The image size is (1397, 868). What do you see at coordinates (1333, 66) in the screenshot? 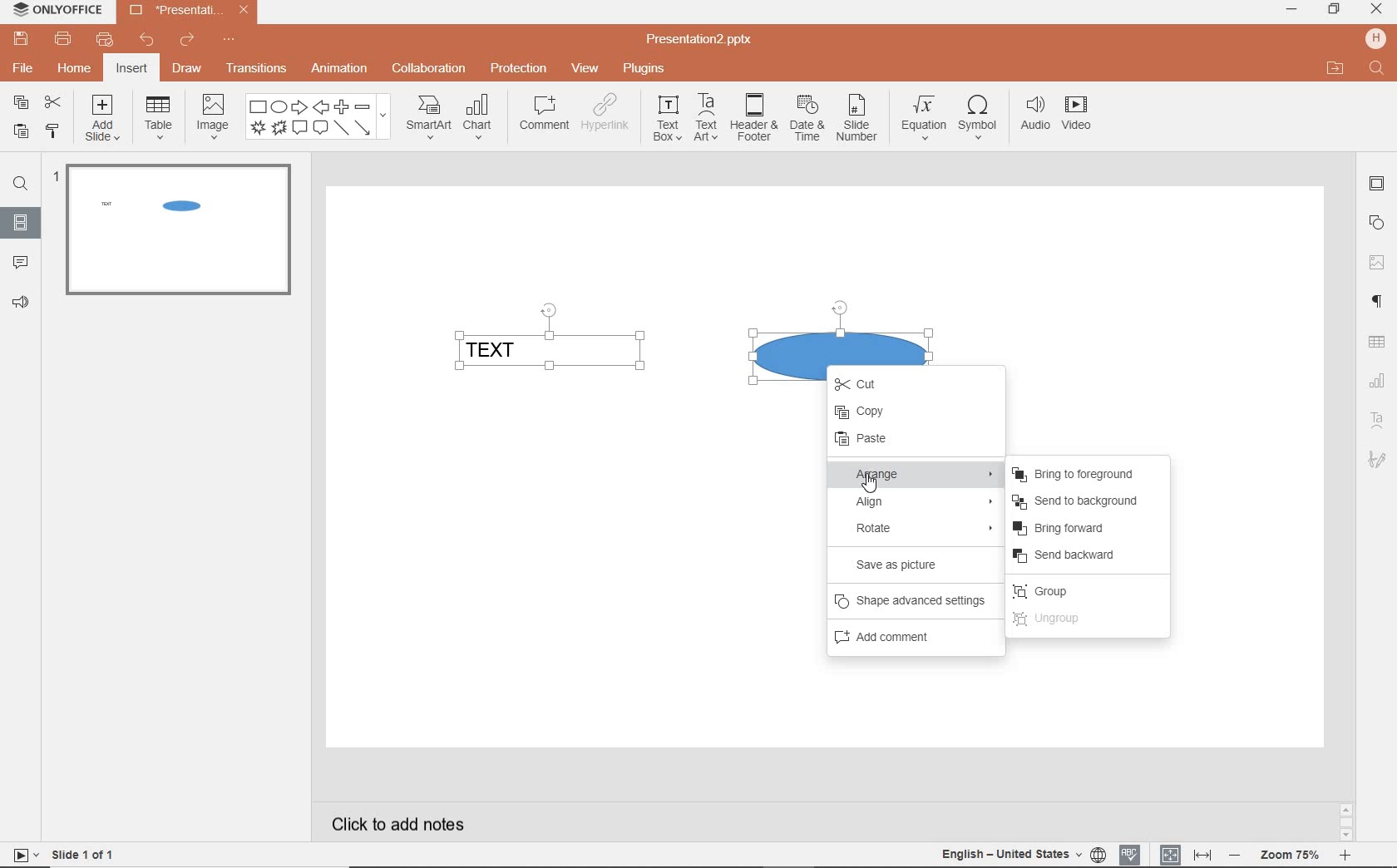
I see `OPEN FILE LOCATION` at bounding box center [1333, 66].